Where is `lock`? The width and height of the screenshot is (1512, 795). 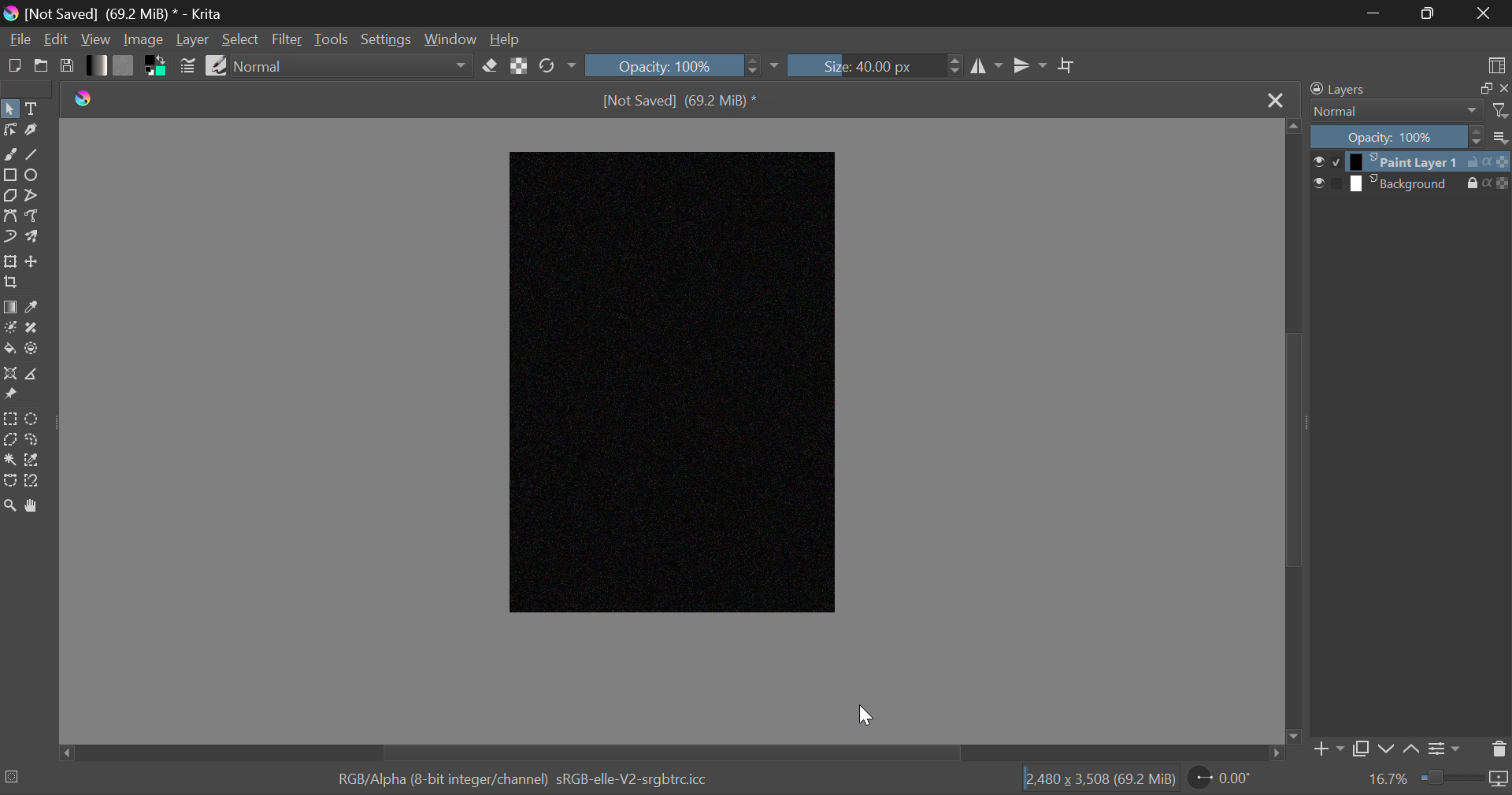 lock is located at coordinates (1462, 183).